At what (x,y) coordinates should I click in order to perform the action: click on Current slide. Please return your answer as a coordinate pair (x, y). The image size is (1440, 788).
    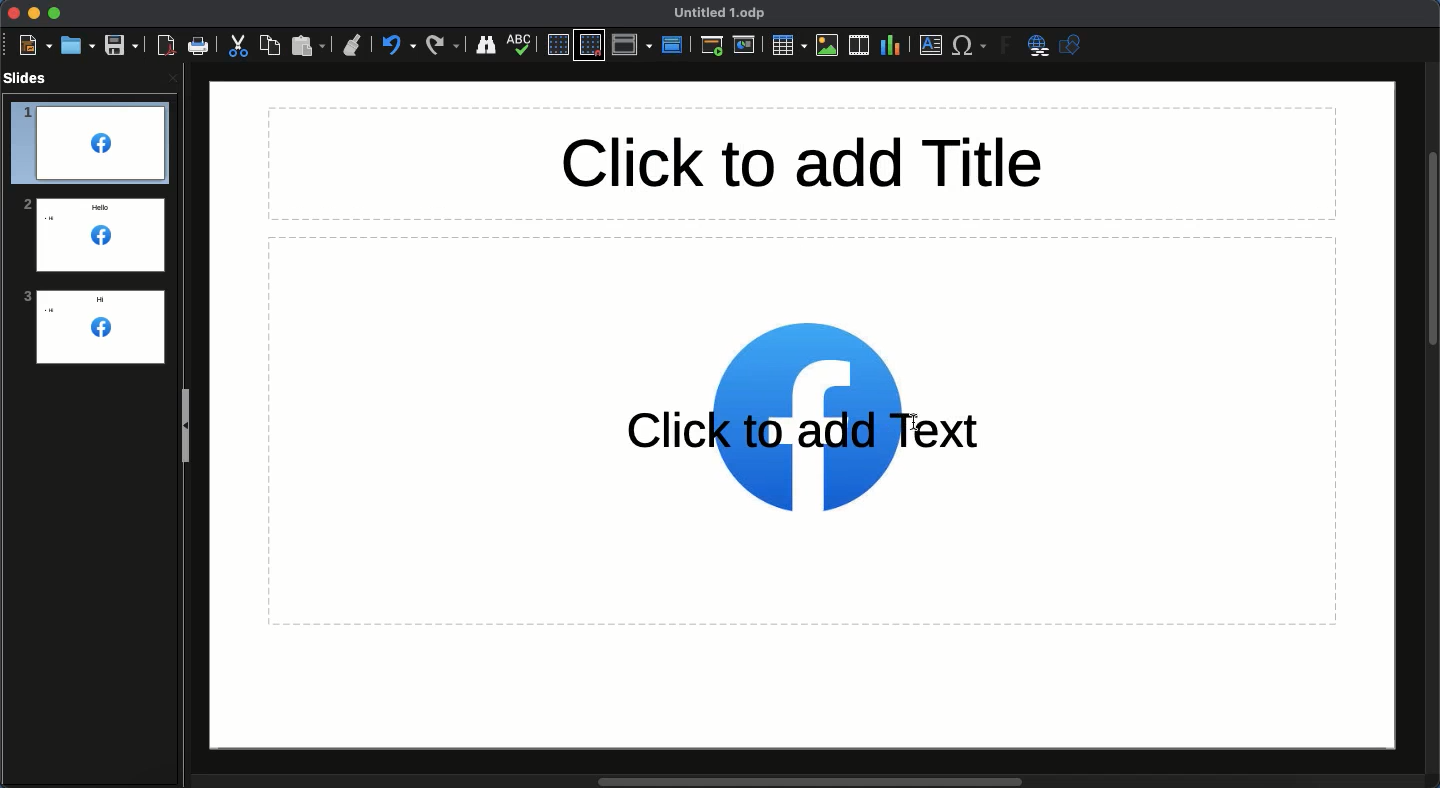
    Looking at the image, I should click on (746, 48).